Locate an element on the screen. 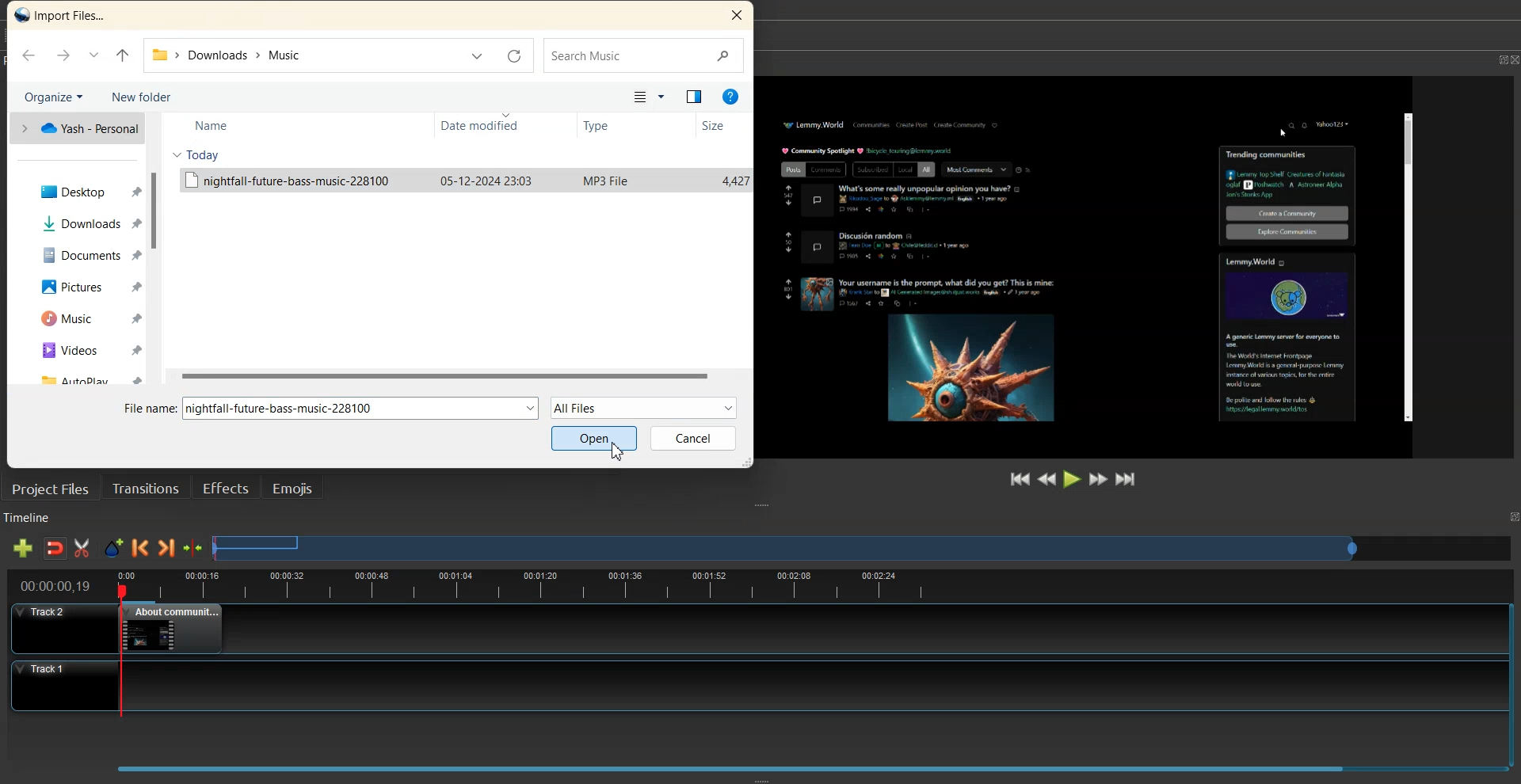 This screenshot has height=784, width=1521. File Preview is located at coordinates (1075, 268).